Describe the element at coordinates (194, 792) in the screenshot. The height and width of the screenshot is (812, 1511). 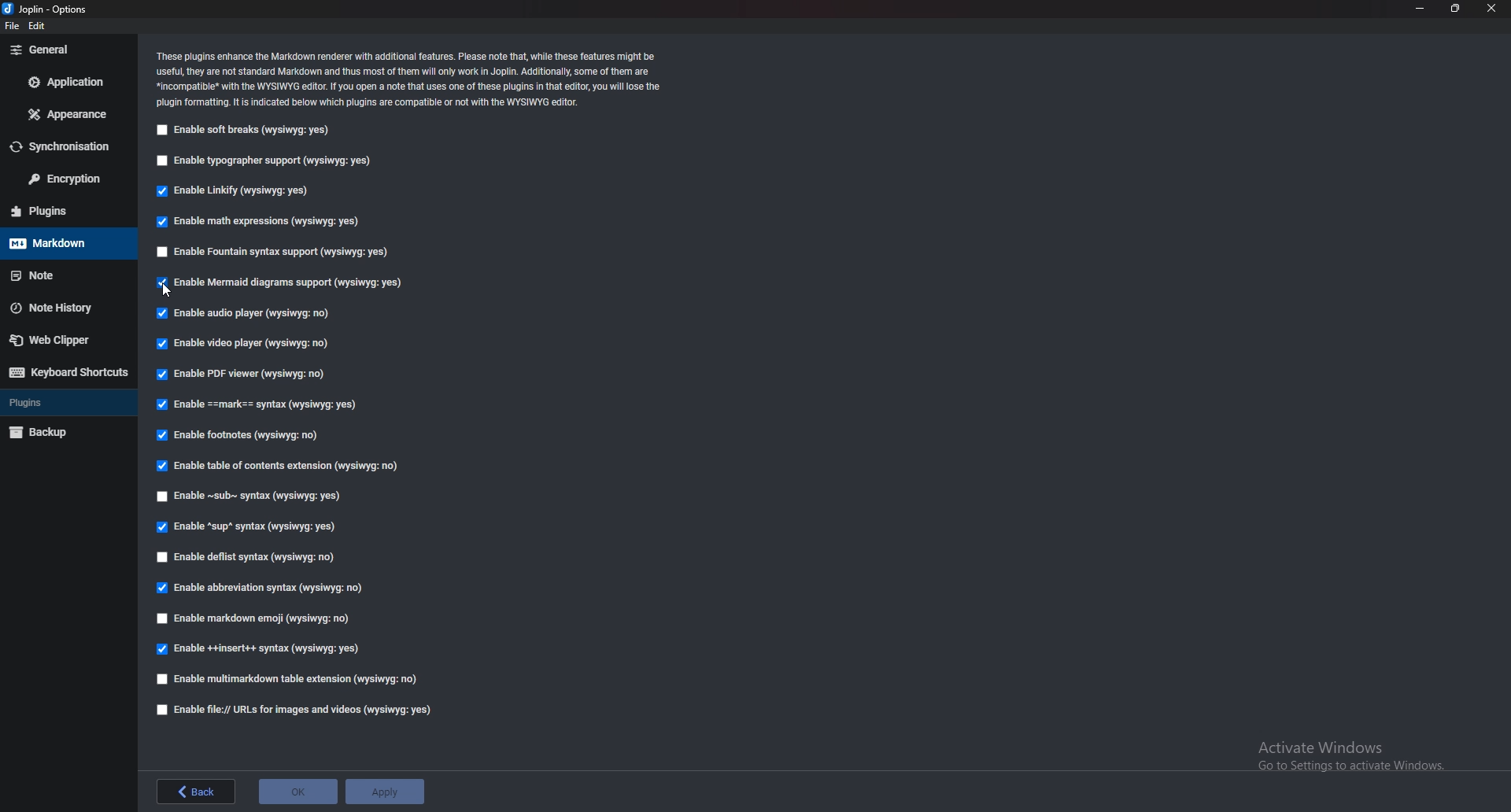
I see `back` at that location.